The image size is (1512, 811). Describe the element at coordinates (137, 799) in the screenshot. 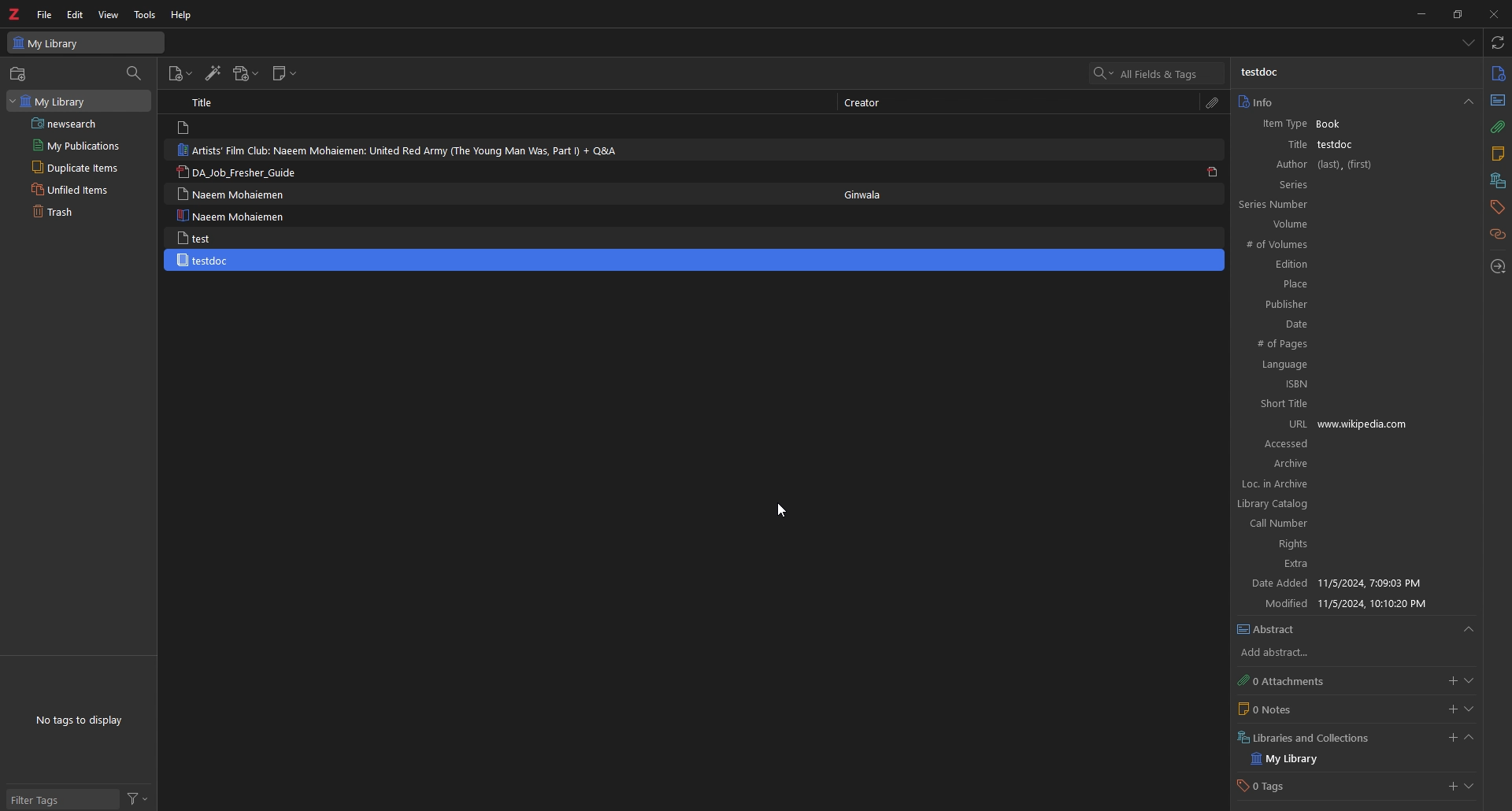

I see `filter` at that location.